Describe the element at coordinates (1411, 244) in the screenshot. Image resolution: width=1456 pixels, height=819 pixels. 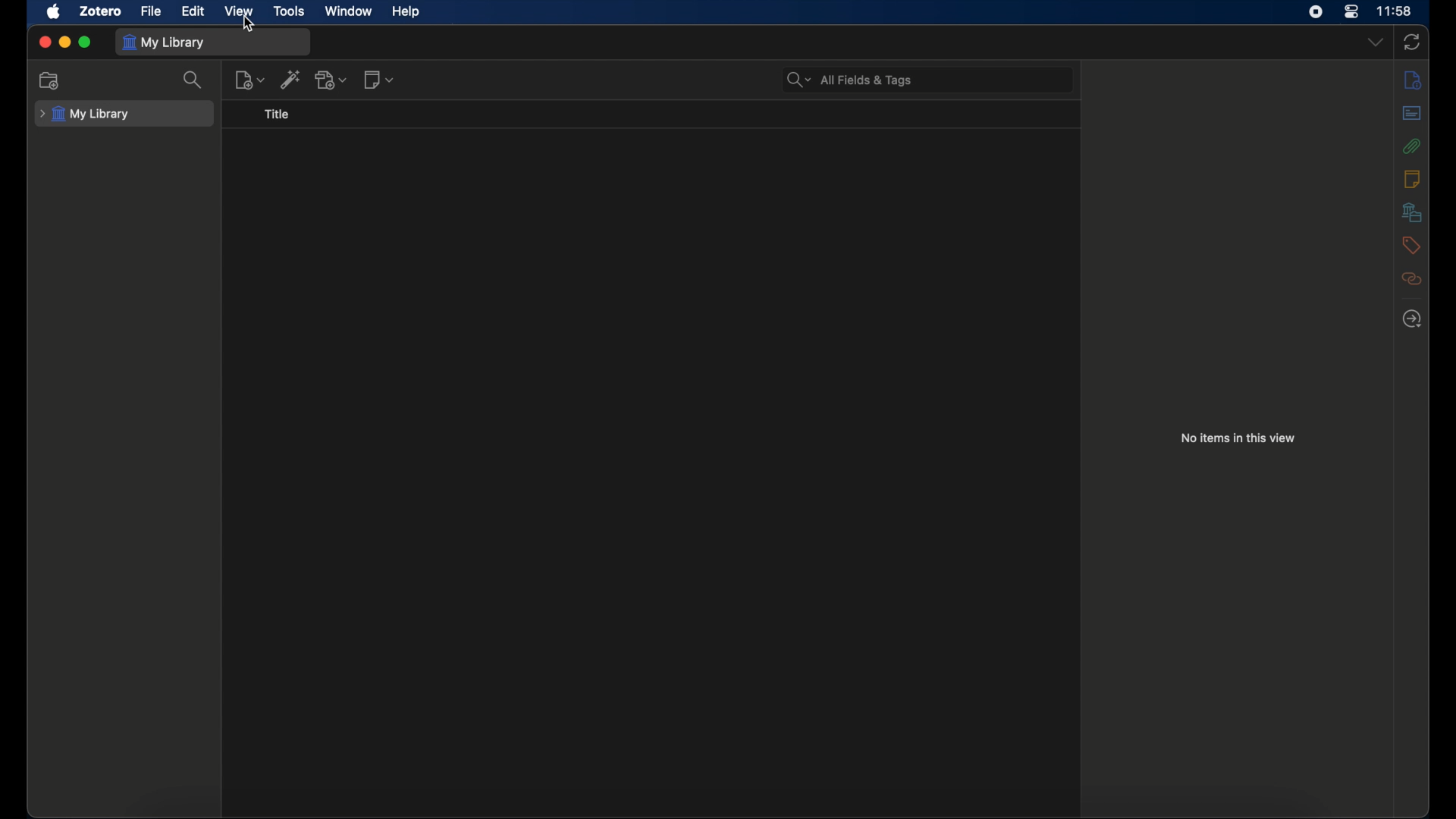
I see `tags` at that location.